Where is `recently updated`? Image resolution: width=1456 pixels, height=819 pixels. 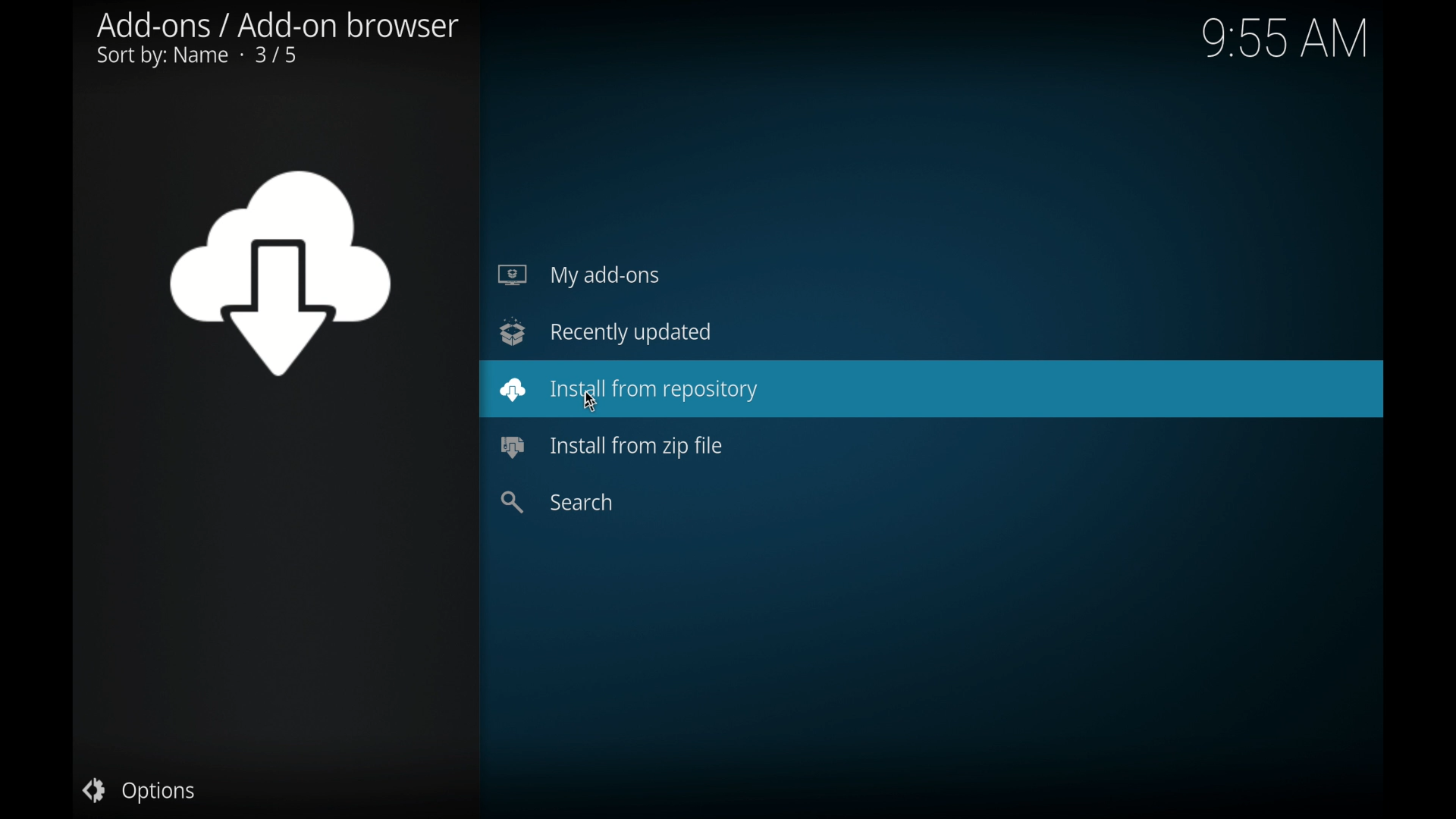 recently updated is located at coordinates (605, 331).